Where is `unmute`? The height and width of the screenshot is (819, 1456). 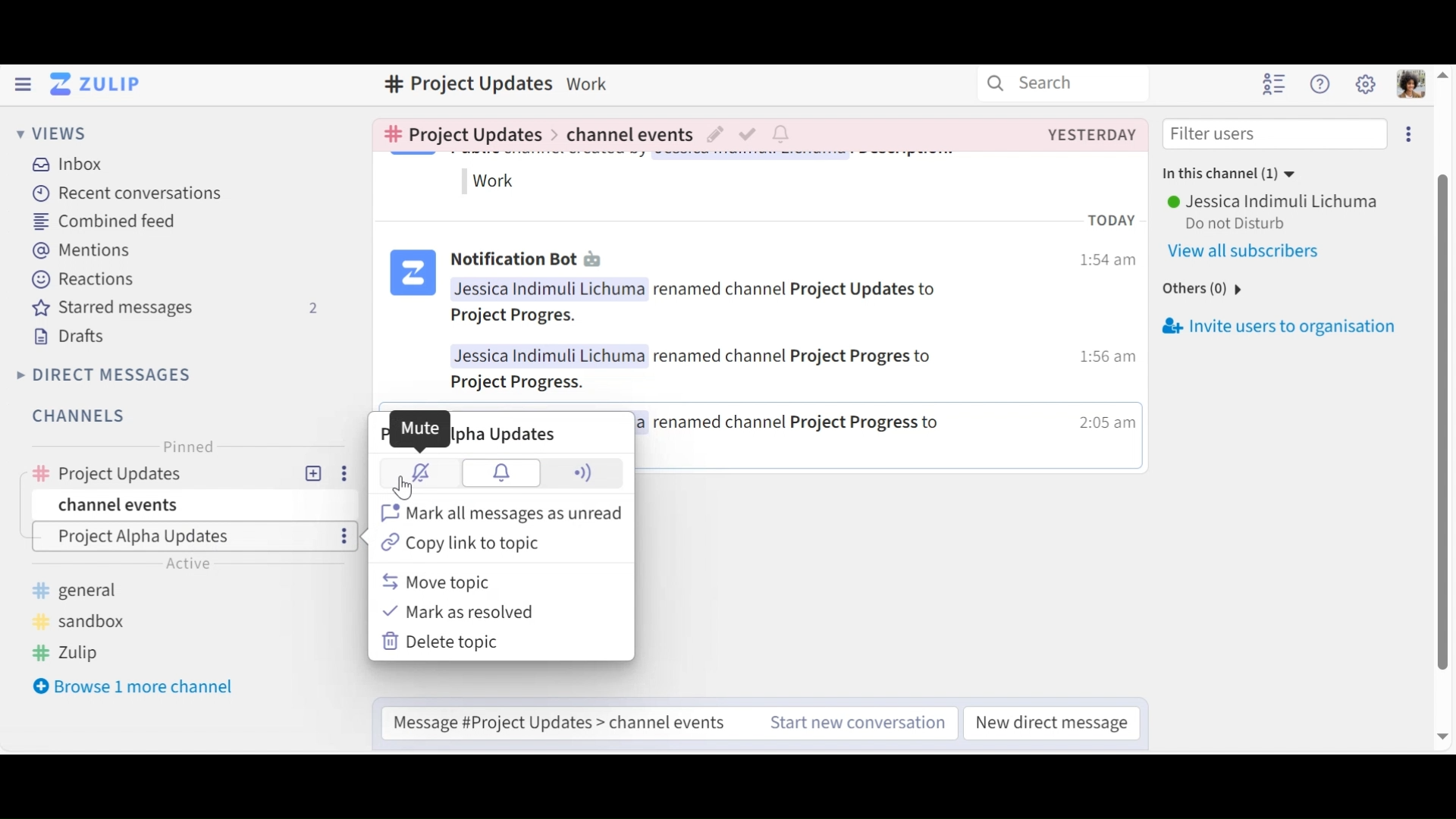
unmute is located at coordinates (503, 472).